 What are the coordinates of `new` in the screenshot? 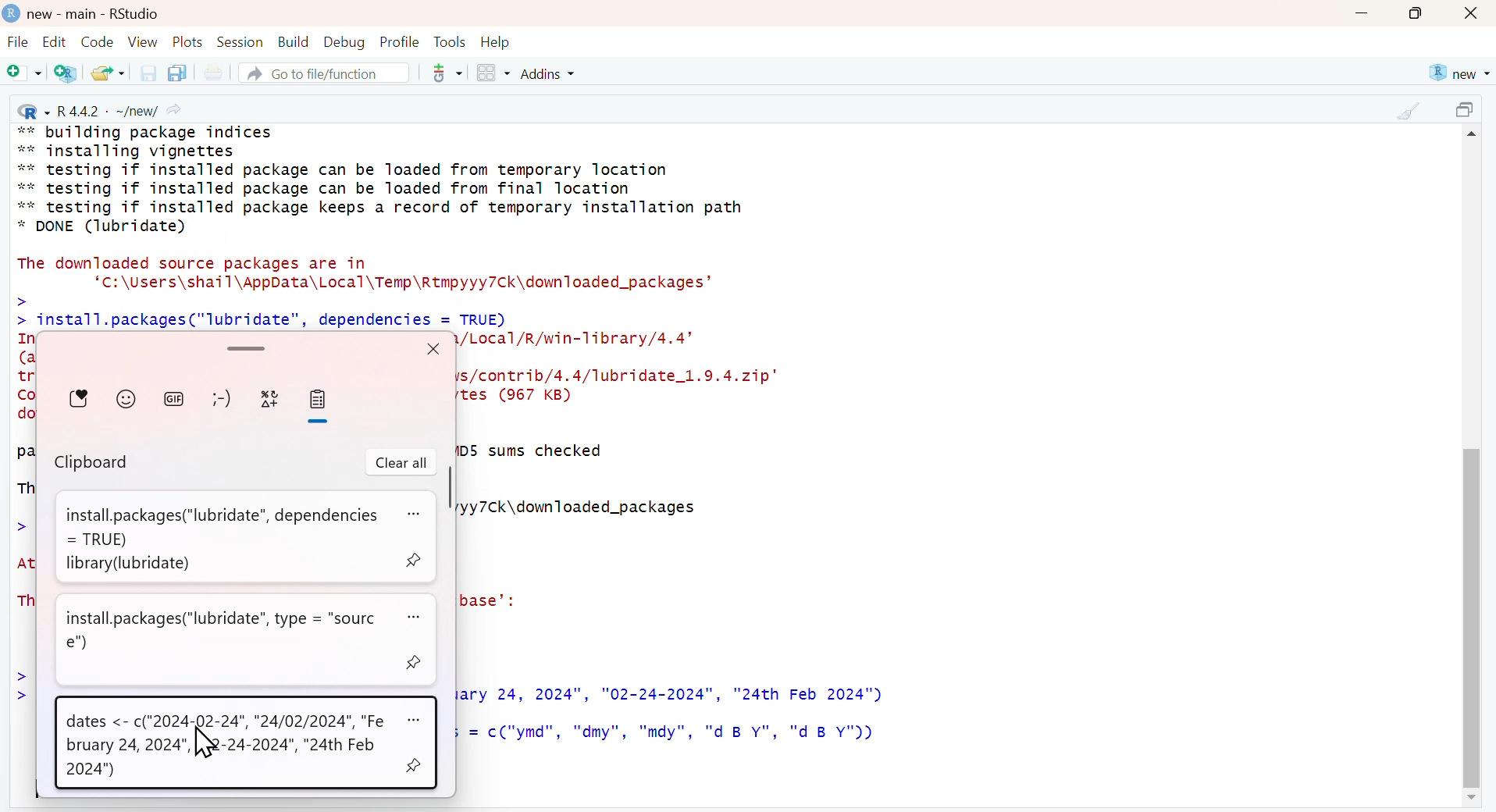 It's located at (1458, 73).